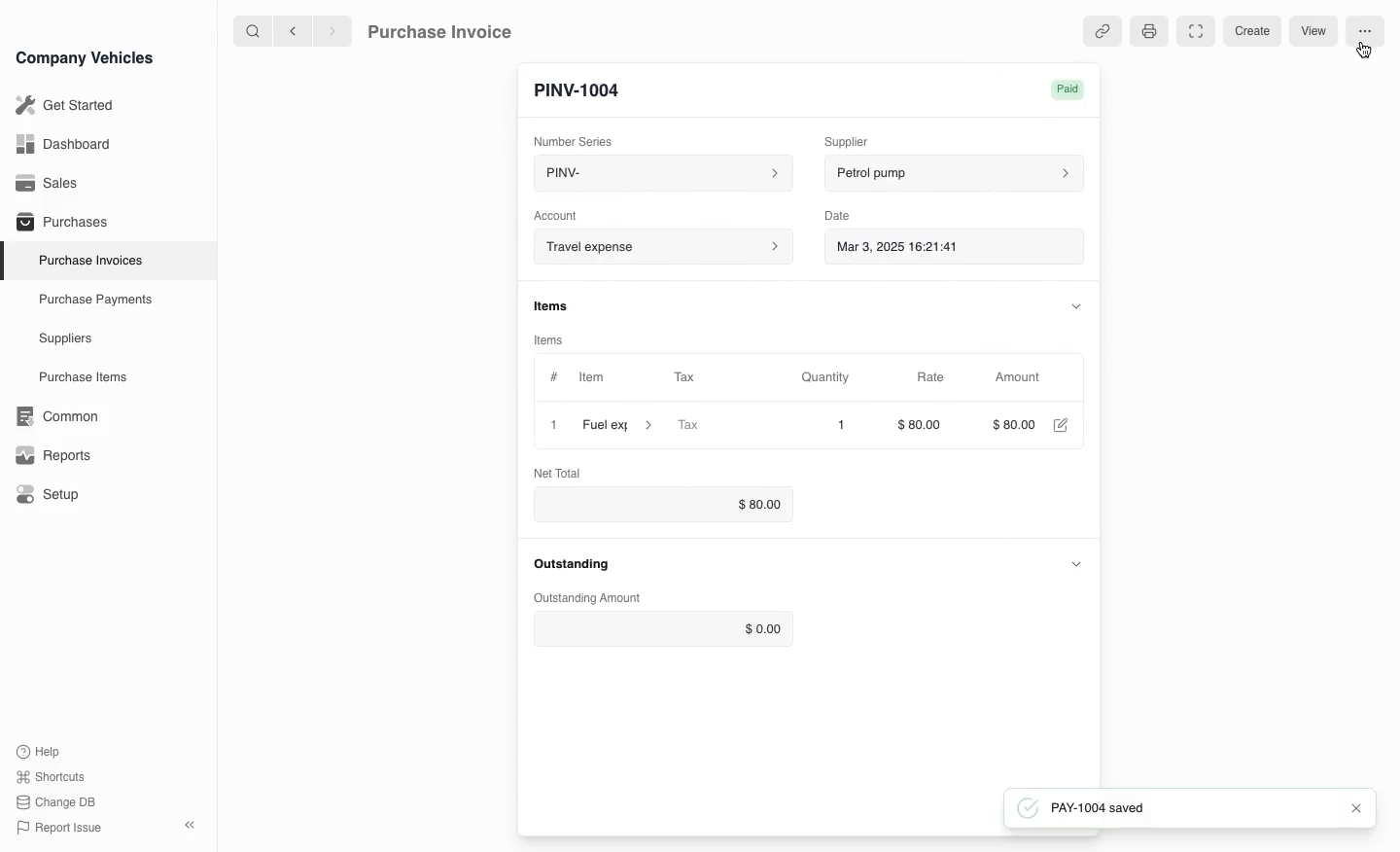 The height and width of the screenshot is (852, 1400). What do you see at coordinates (58, 802) in the screenshot?
I see `change DB` at bounding box center [58, 802].